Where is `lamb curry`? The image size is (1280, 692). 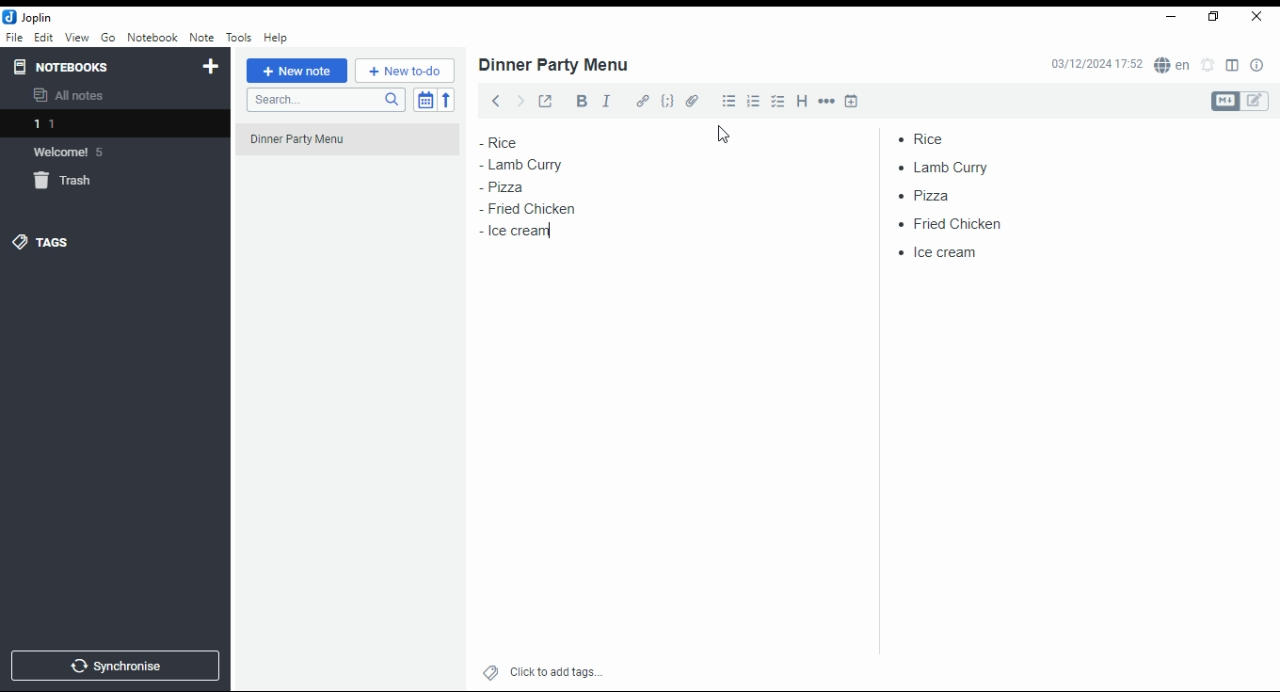
lamb curry is located at coordinates (950, 167).